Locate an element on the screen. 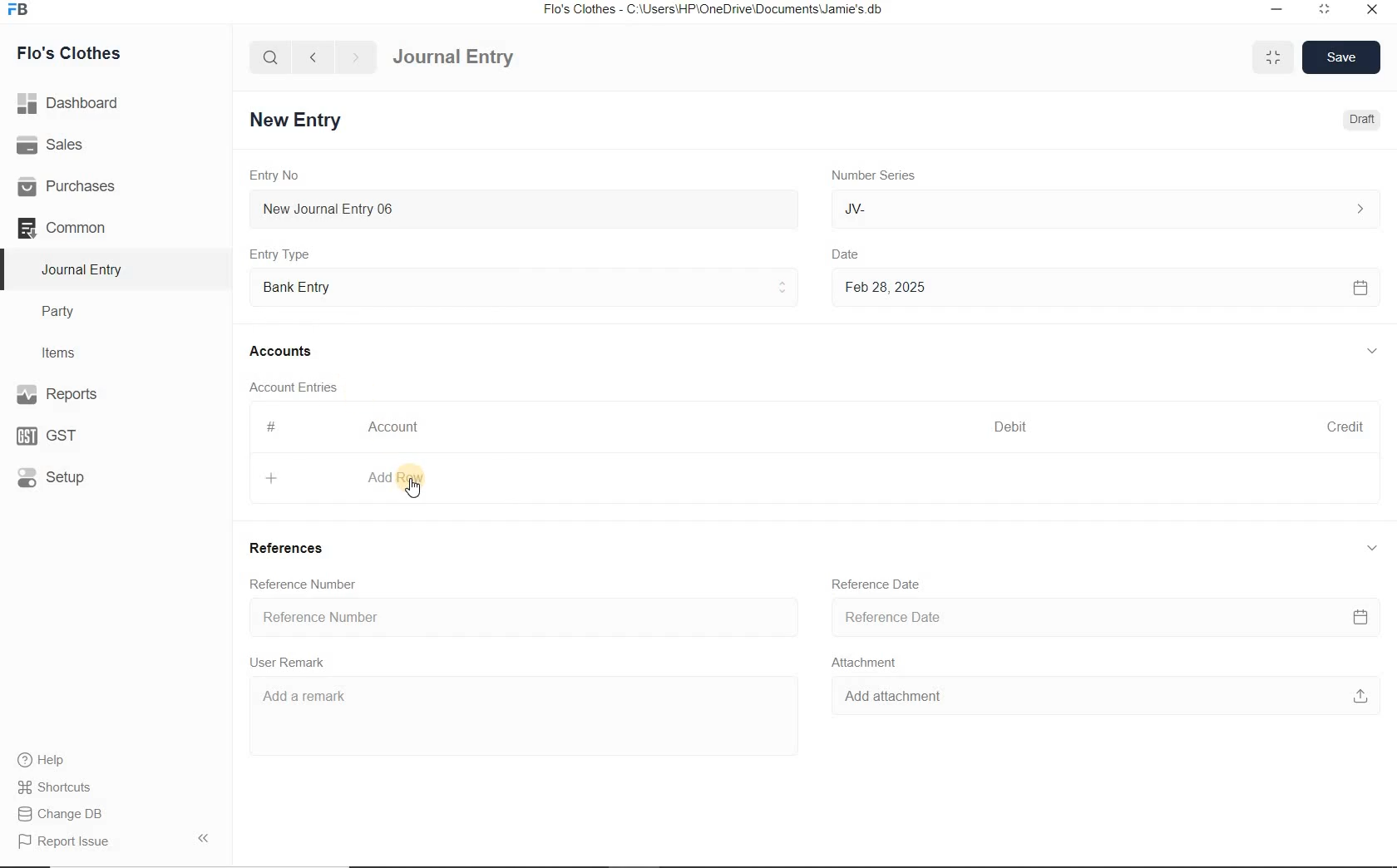 The width and height of the screenshot is (1397, 868). Date is located at coordinates (857, 252).